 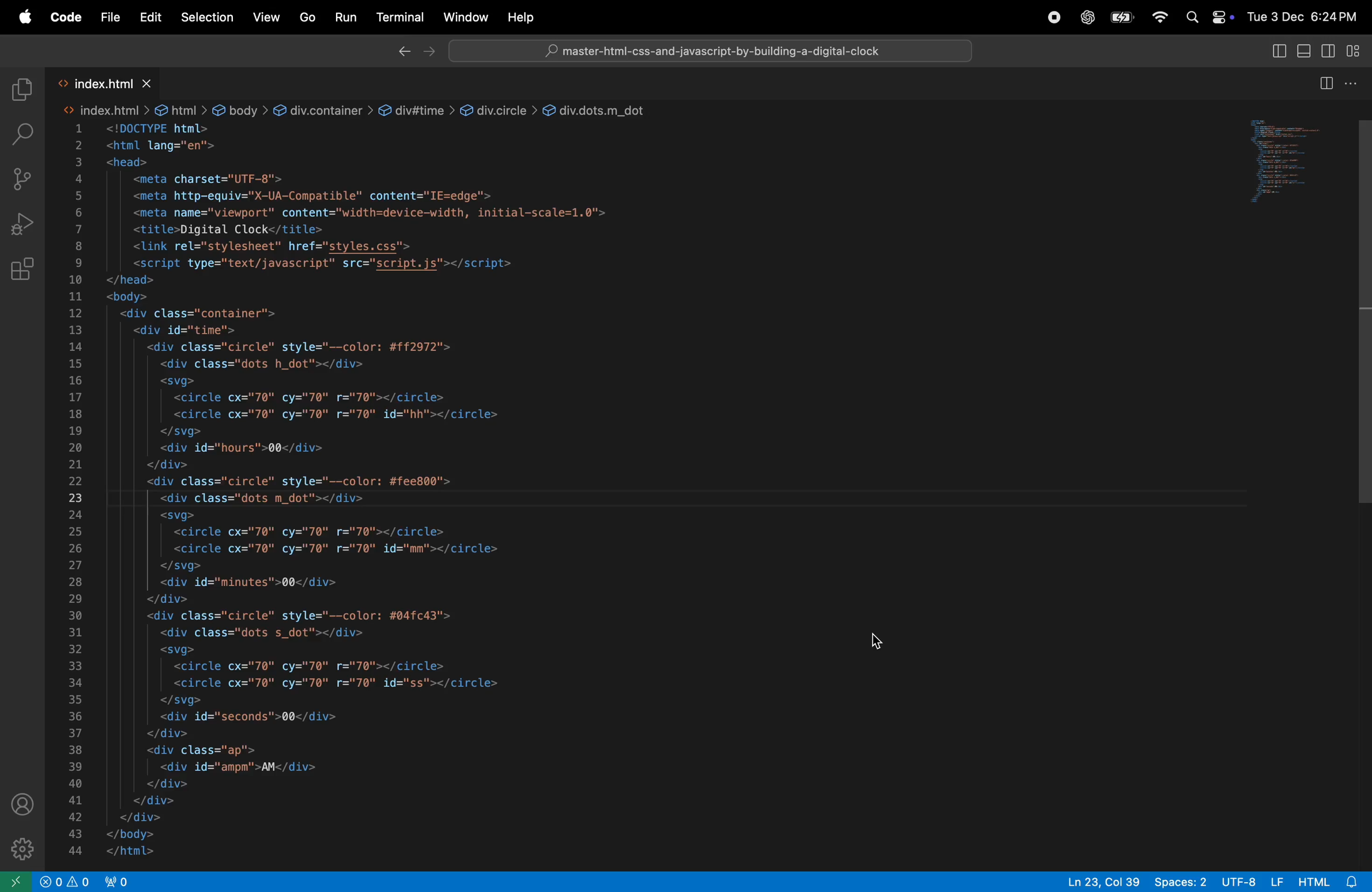 What do you see at coordinates (401, 16) in the screenshot?
I see `terminal` at bounding box center [401, 16].